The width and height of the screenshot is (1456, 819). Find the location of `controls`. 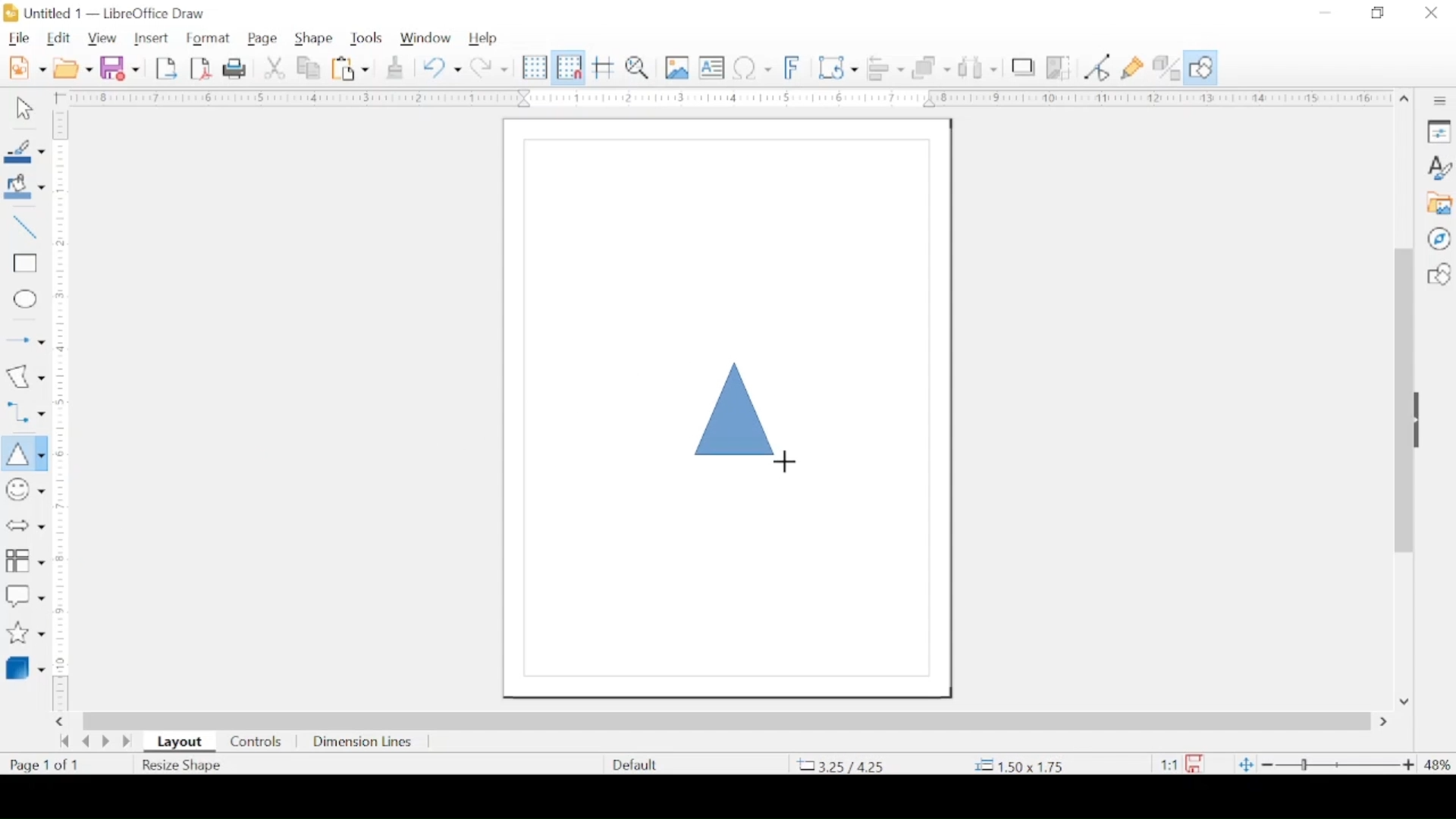

controls is located at coordinates (255, 742).